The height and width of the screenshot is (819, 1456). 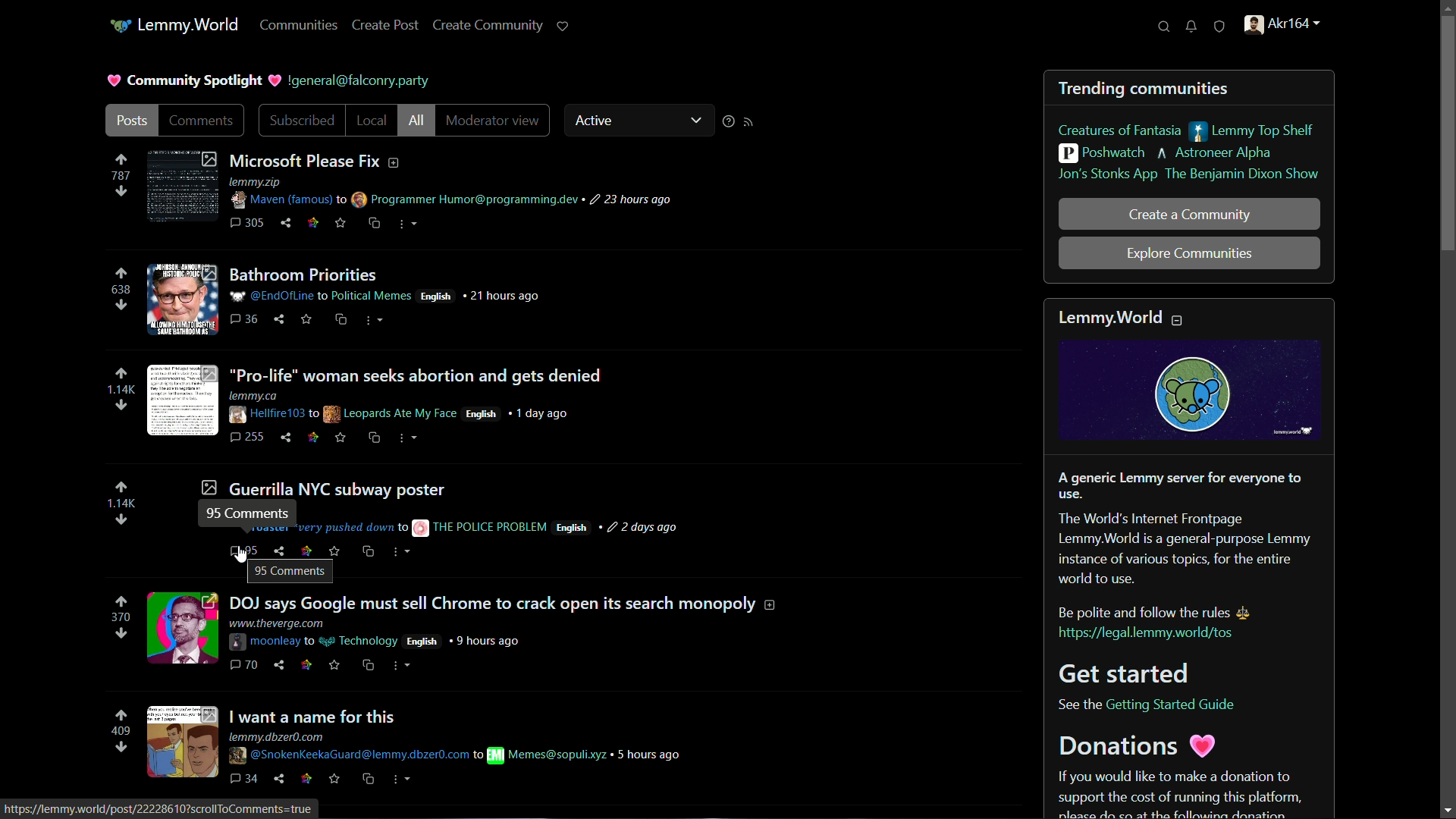 What do you see at coordinates (367, 554) in the screenshot?
I see `cross post` at bounding box center [367, 554].